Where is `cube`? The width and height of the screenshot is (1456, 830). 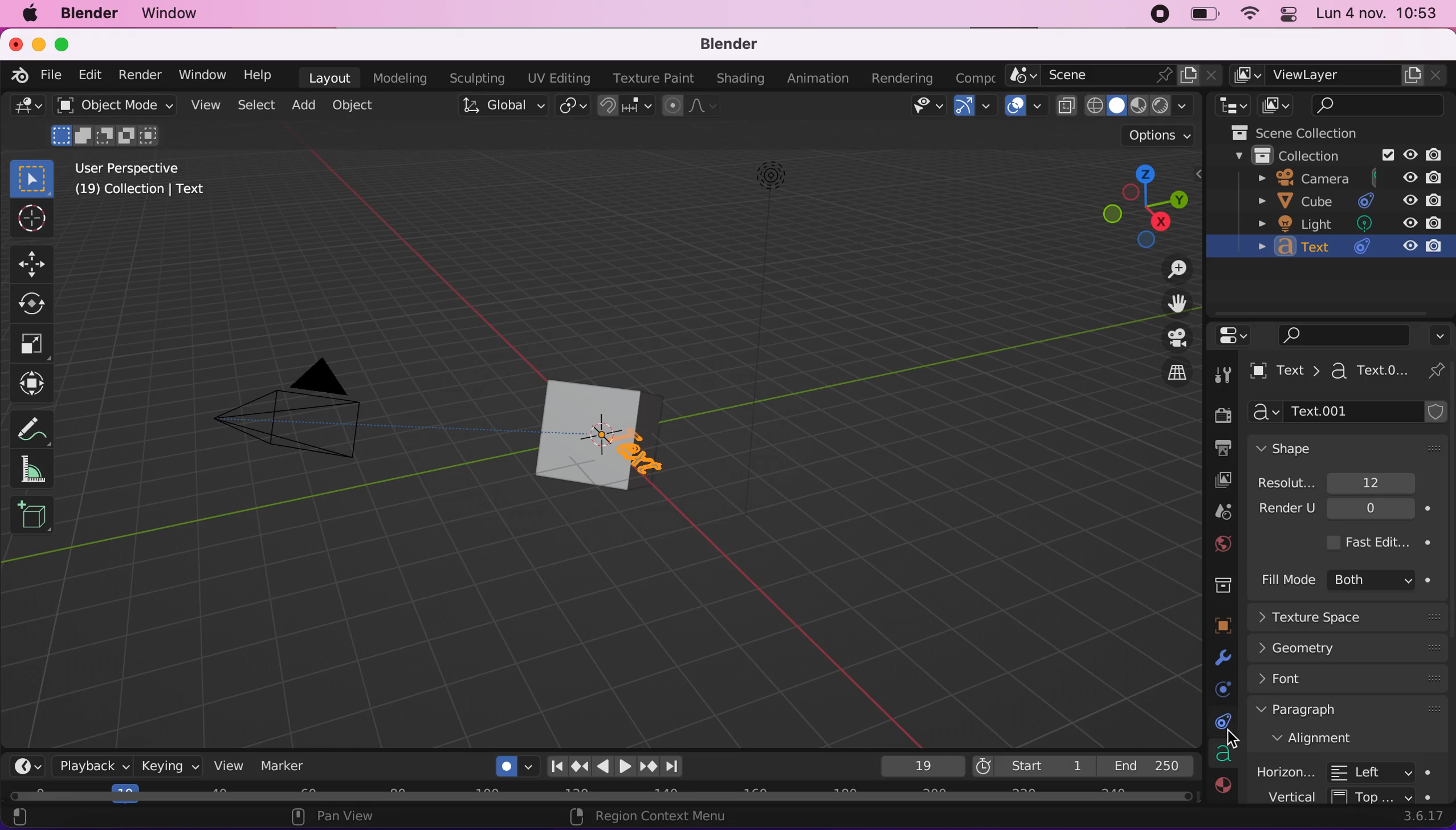
cube is located at coordinates (575, 436).